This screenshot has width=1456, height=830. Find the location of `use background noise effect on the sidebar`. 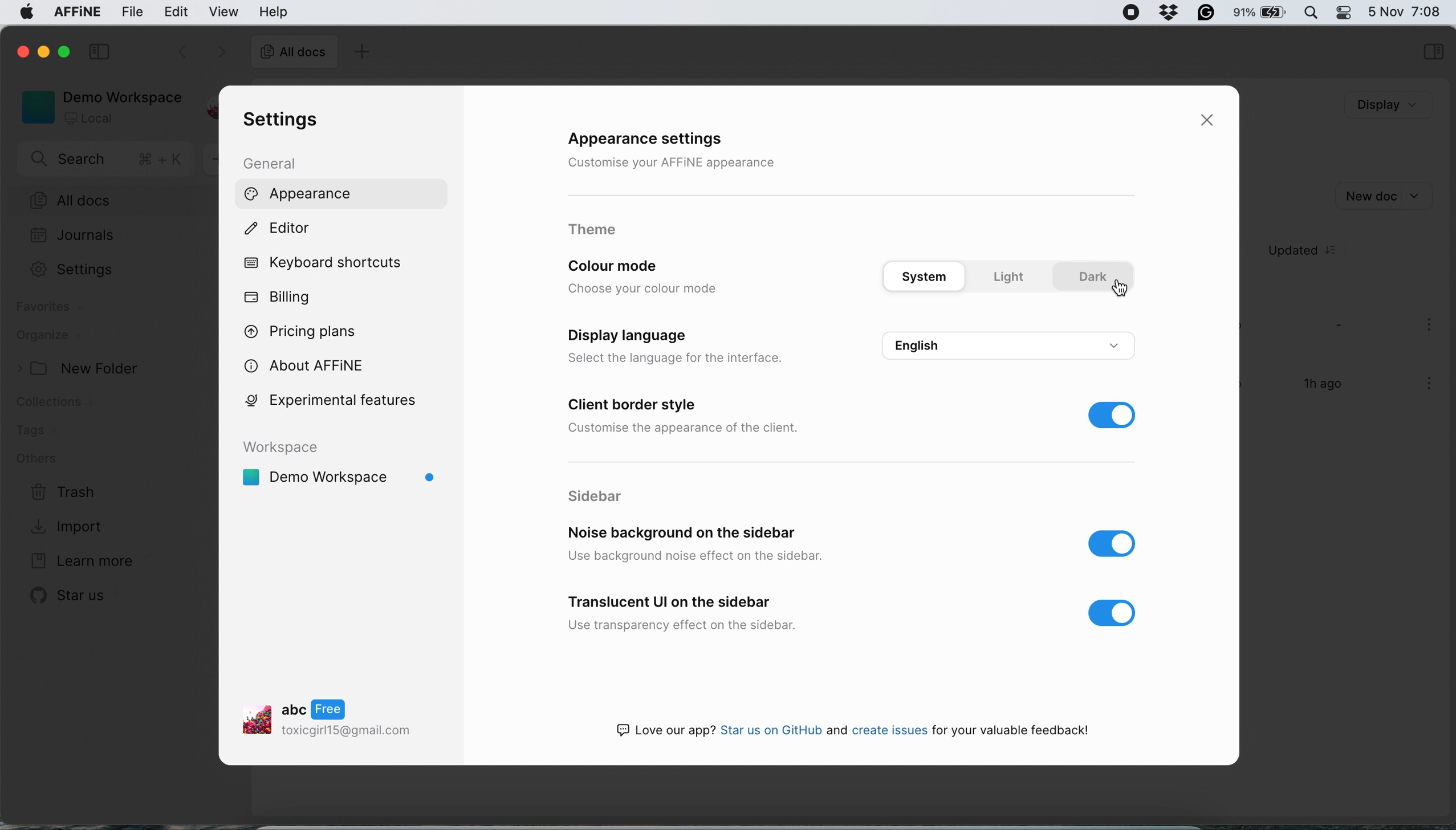

use background noise effect on the sidebar is located at coordinates (703, 557).